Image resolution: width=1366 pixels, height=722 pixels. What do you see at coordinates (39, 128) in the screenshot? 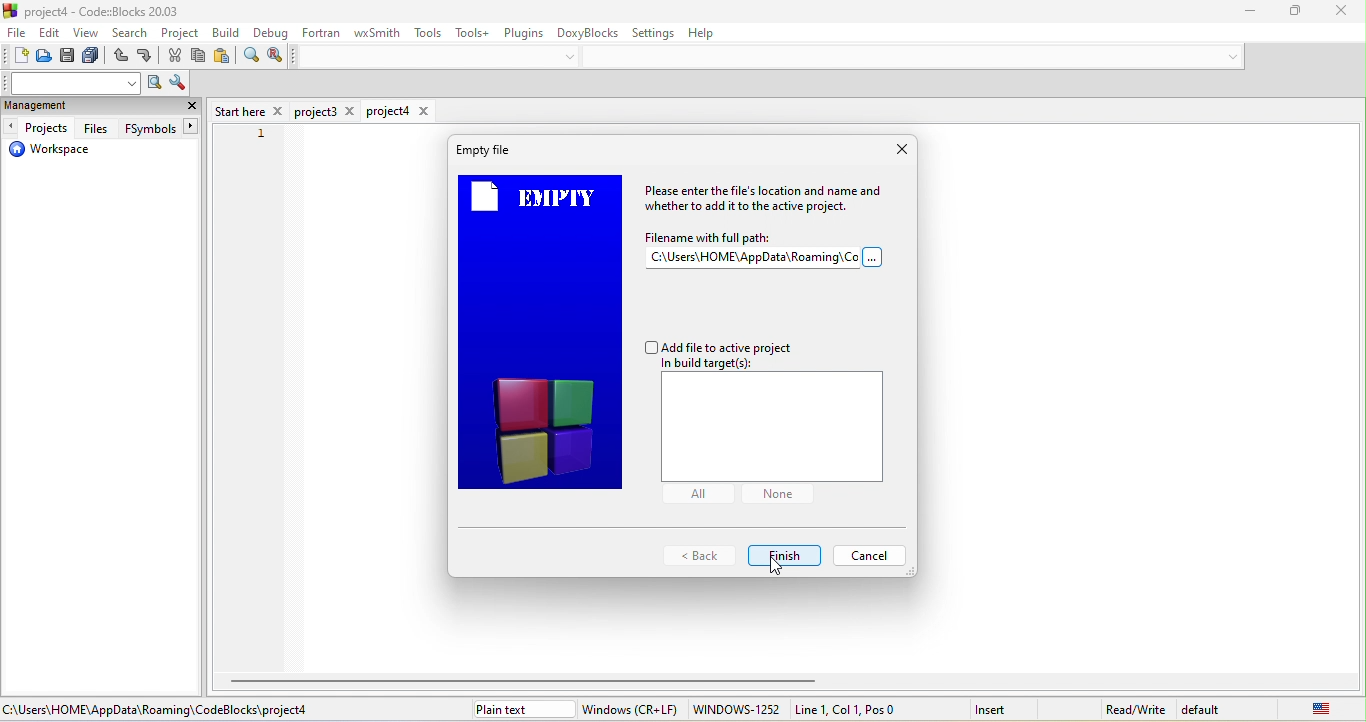
I see `projects` at bounding box center [39, 128].